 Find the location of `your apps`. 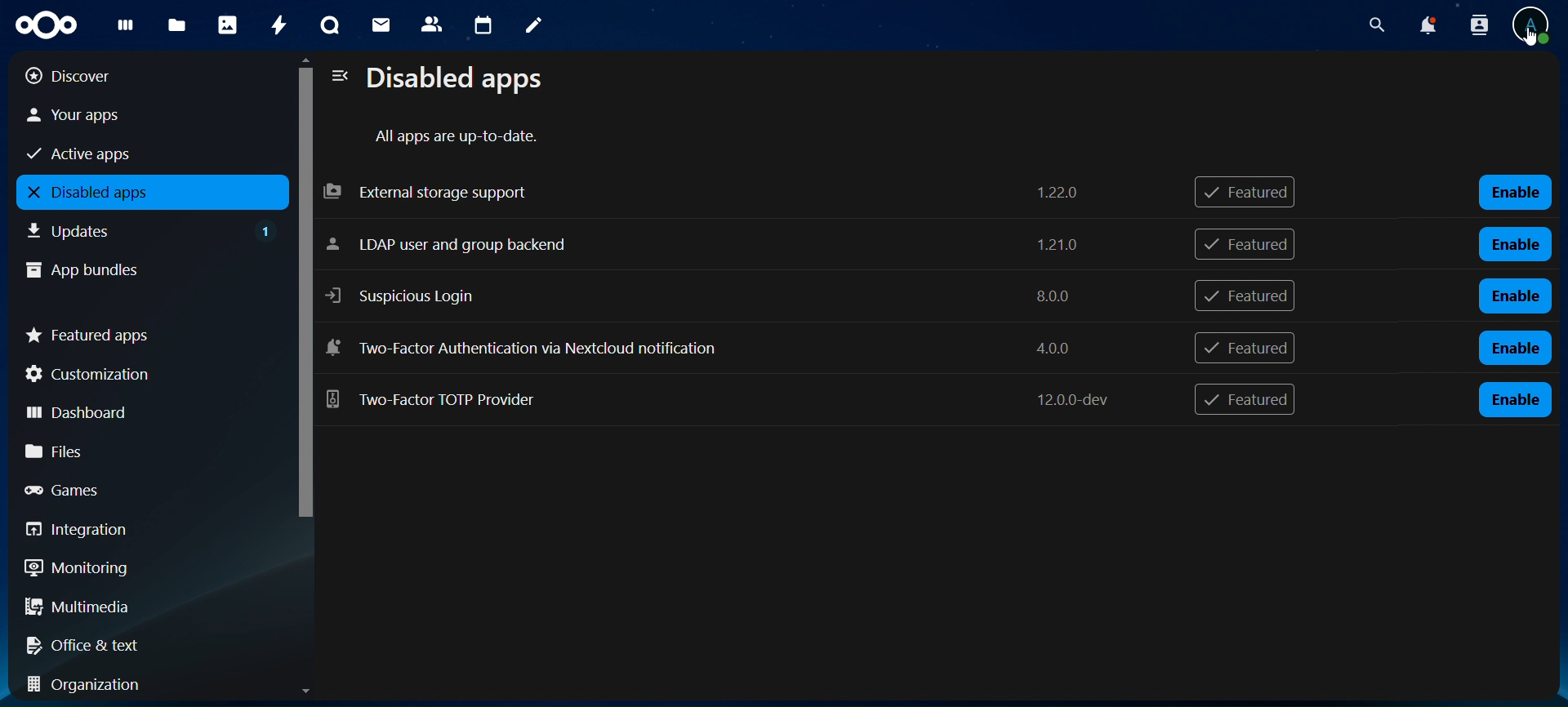

your apps is located at coordinates (132, 115).